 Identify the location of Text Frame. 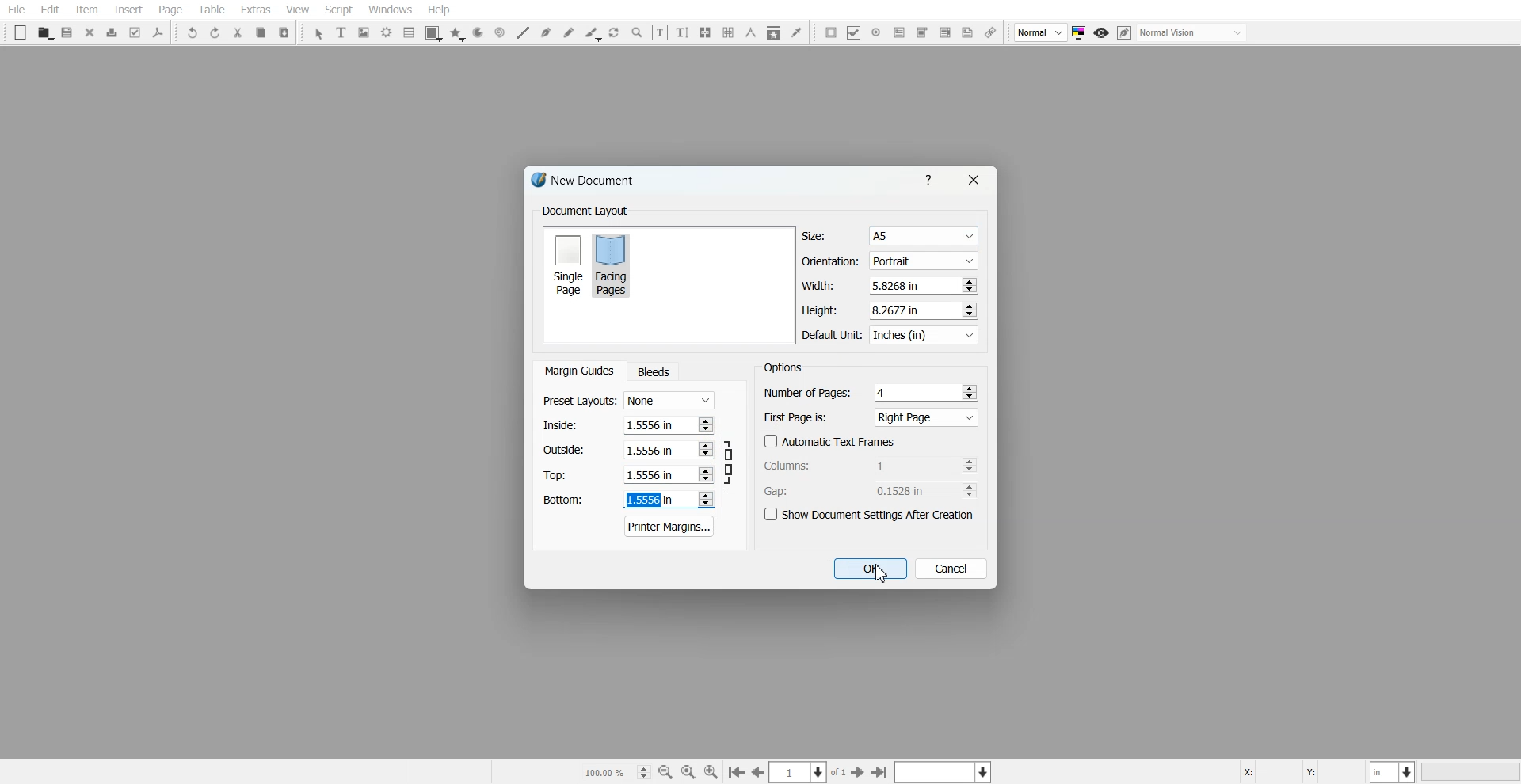
(342, 32).